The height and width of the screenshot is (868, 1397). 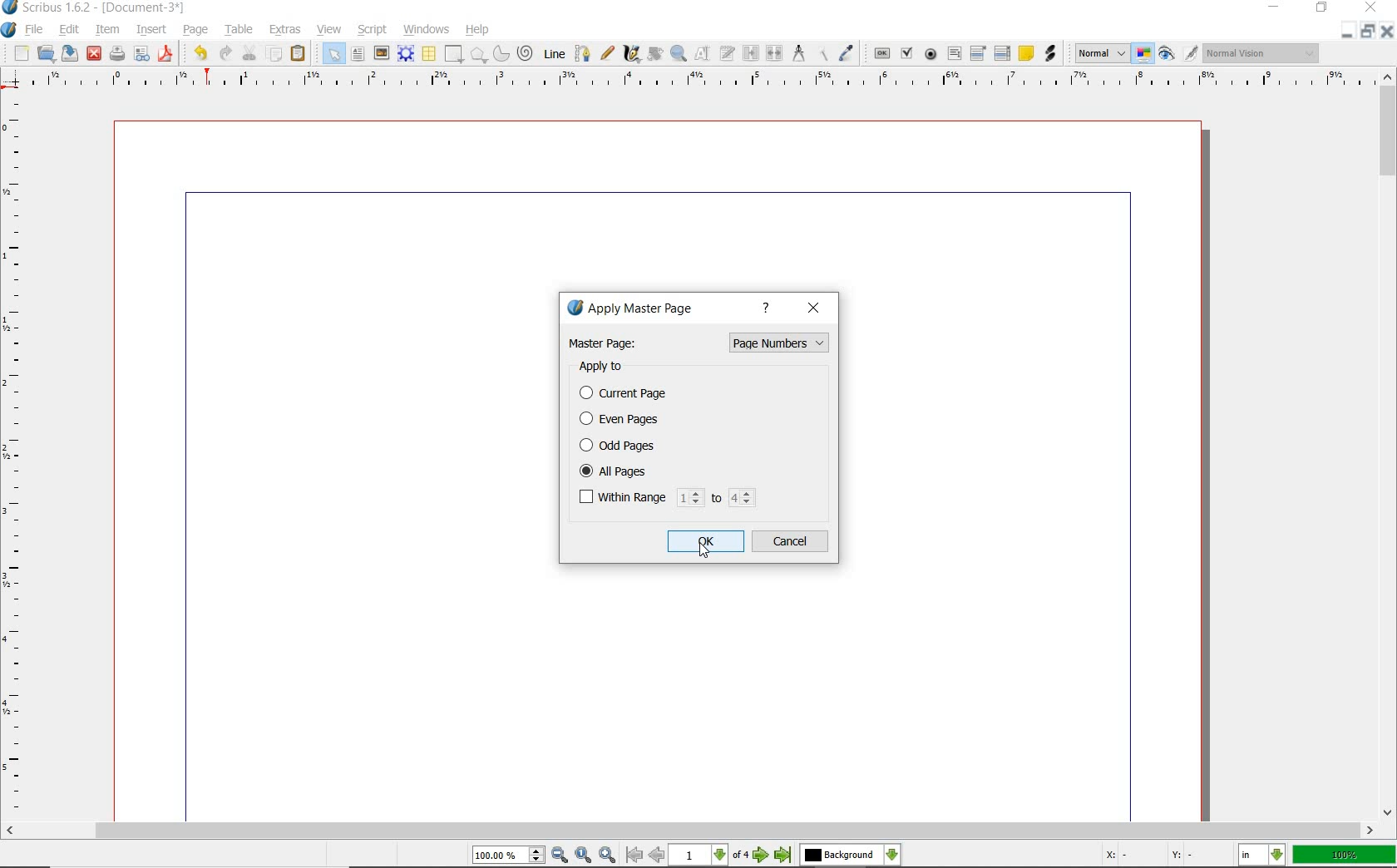 What do you see at coordinates (151, 30) in the screenshot?
I see `insert` at bounding box center [151, 30].